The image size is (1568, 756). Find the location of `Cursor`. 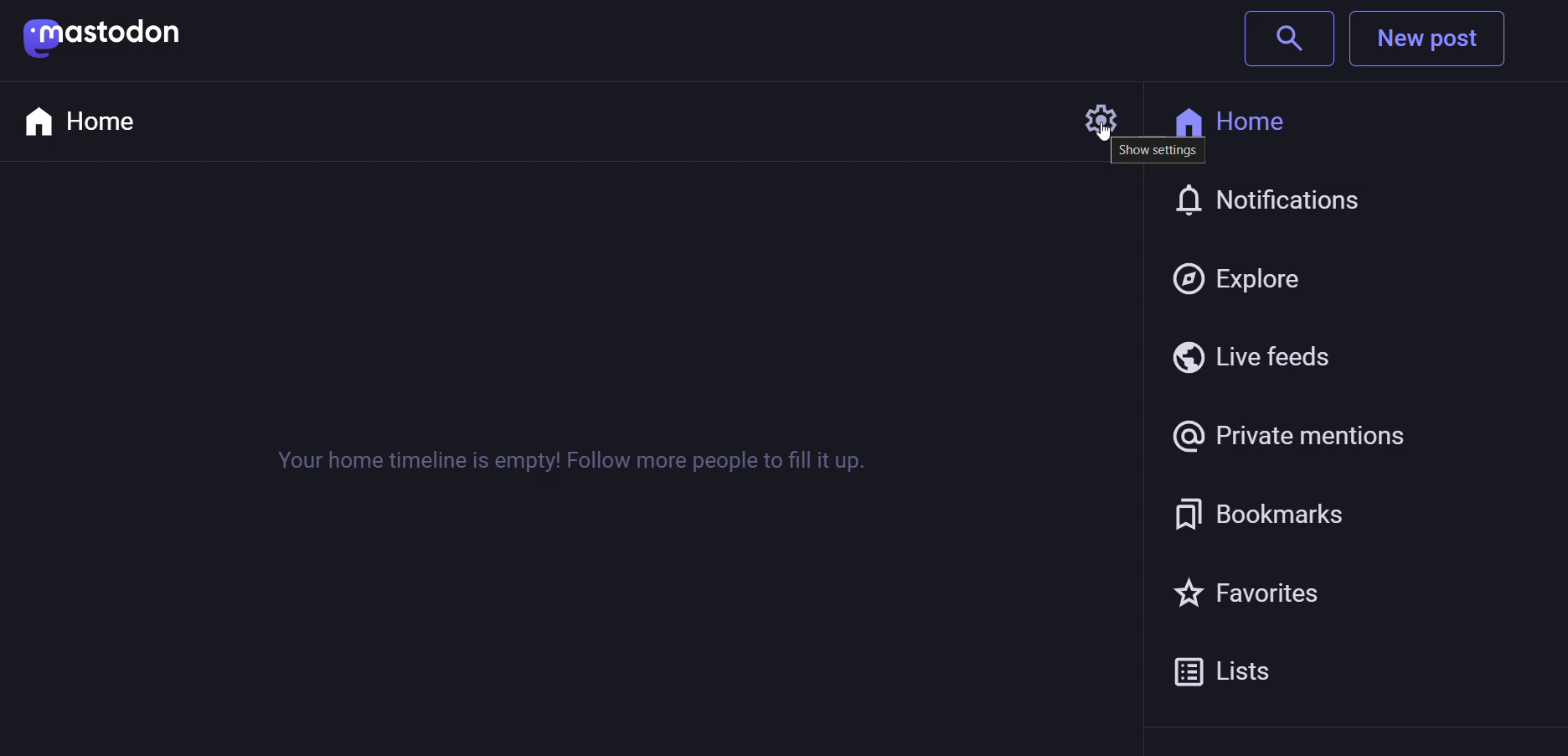

Cursor is located at coordinates (1108, 136).